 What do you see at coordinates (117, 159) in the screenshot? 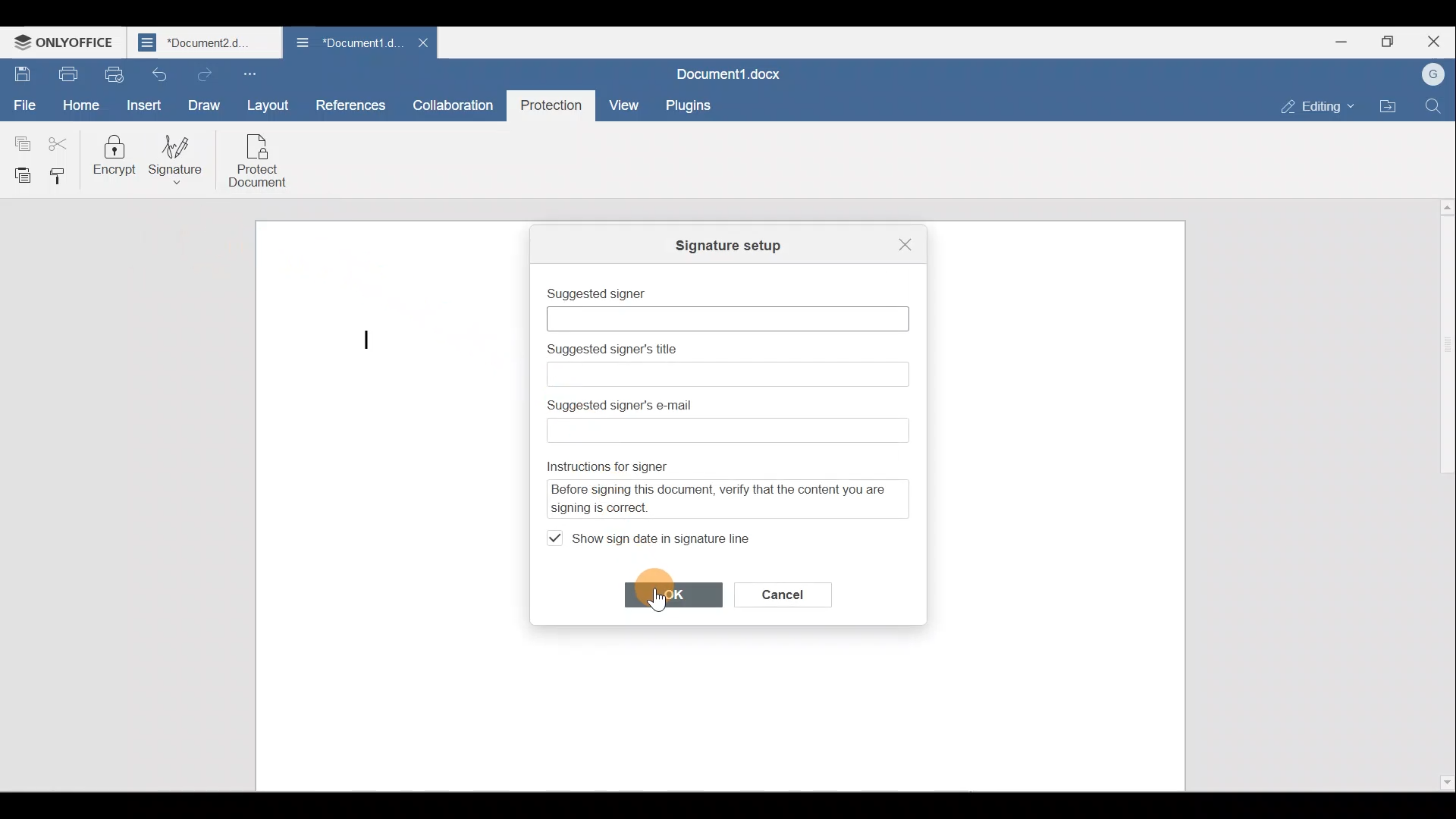
I see `Encrypt` at bounding box center [117, 159].